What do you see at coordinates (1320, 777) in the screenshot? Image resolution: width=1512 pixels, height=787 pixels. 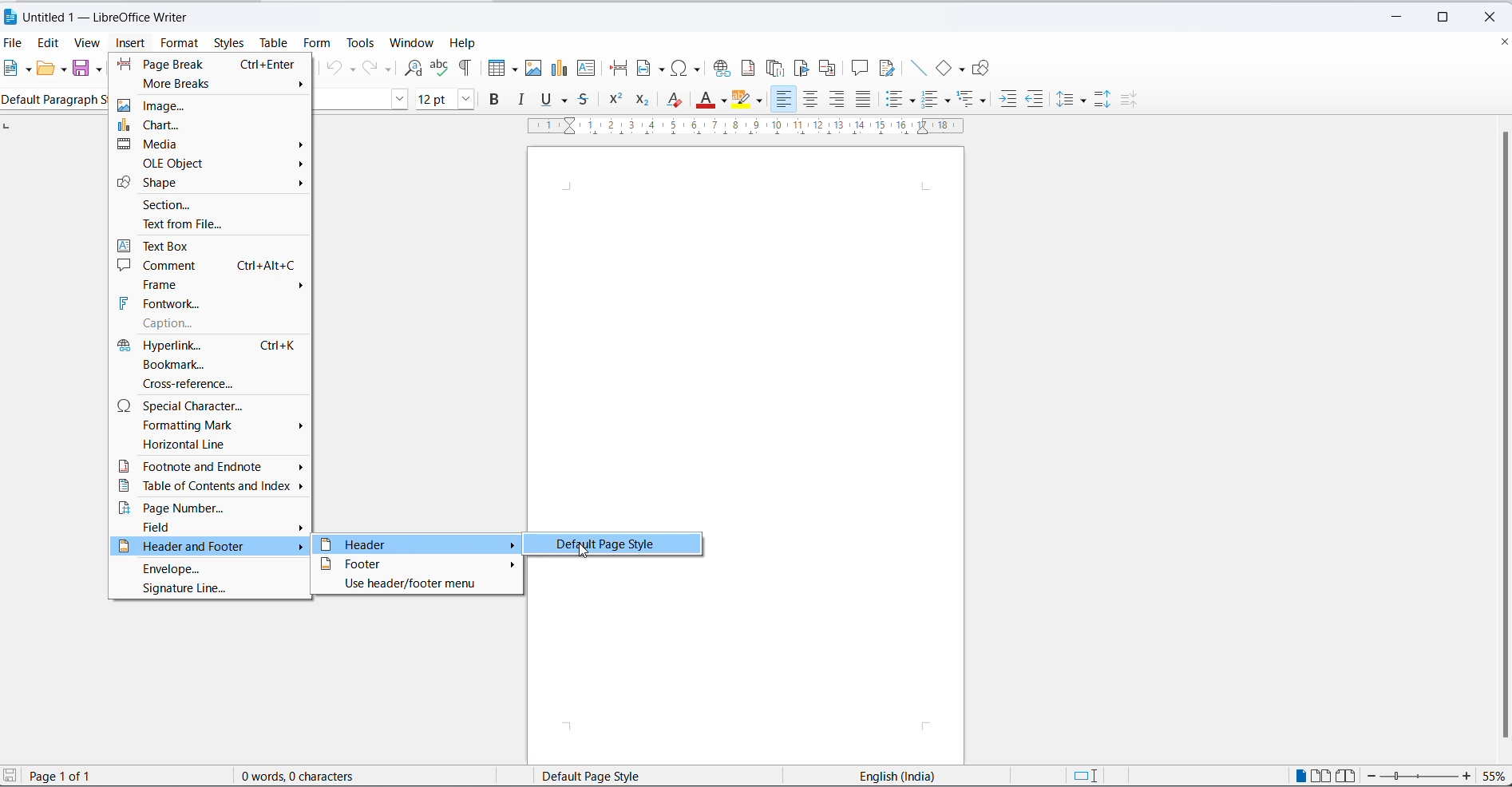 I see `multi page view` at bounding box center [1320, 777].